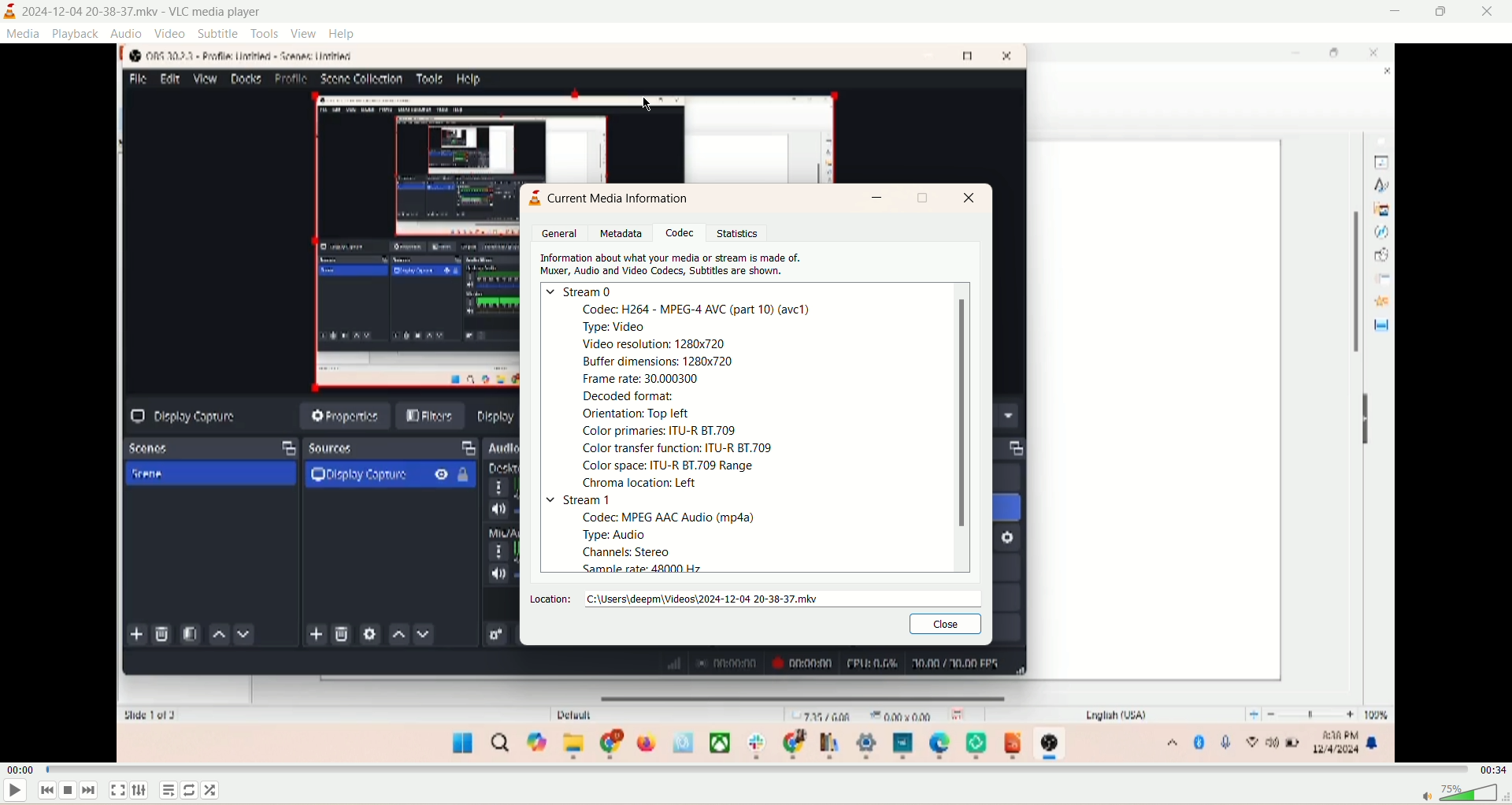 This screenshot has height=805, width=1512. Describe the element at coordinates (533, 202) in the screenshot. I see `logo` at that location.